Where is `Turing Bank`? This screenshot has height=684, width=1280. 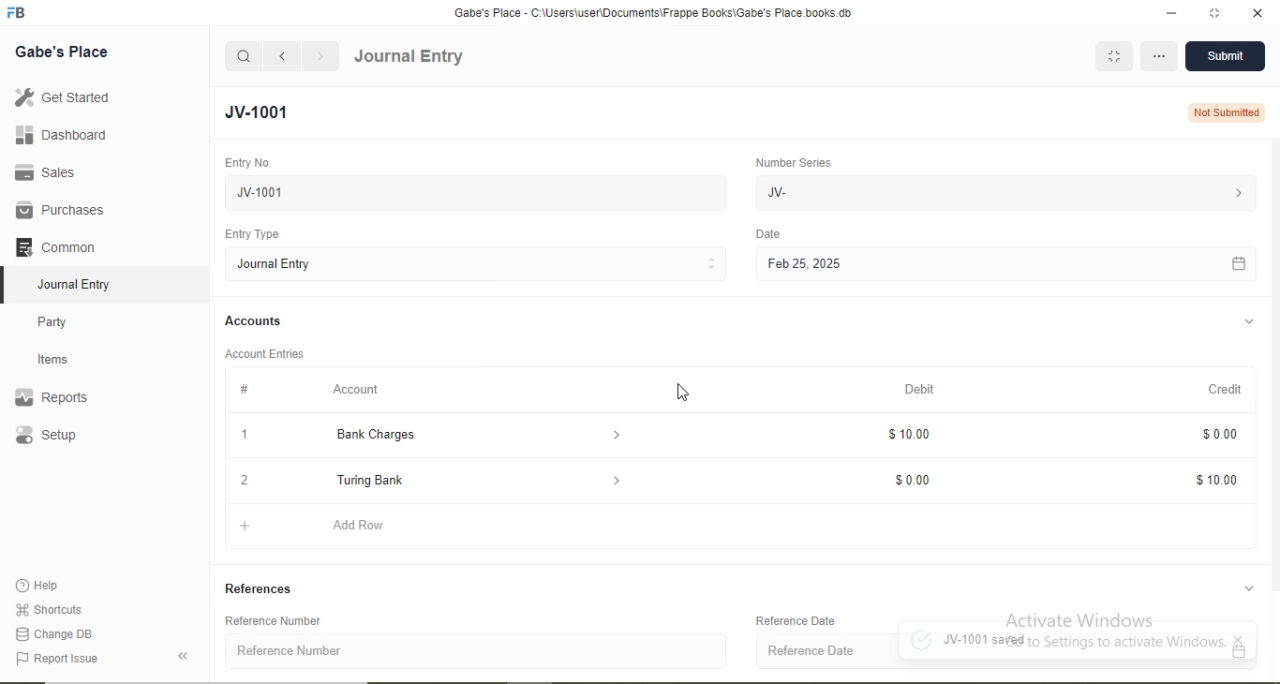
Turing Bank is located at coordinates (470, 481).